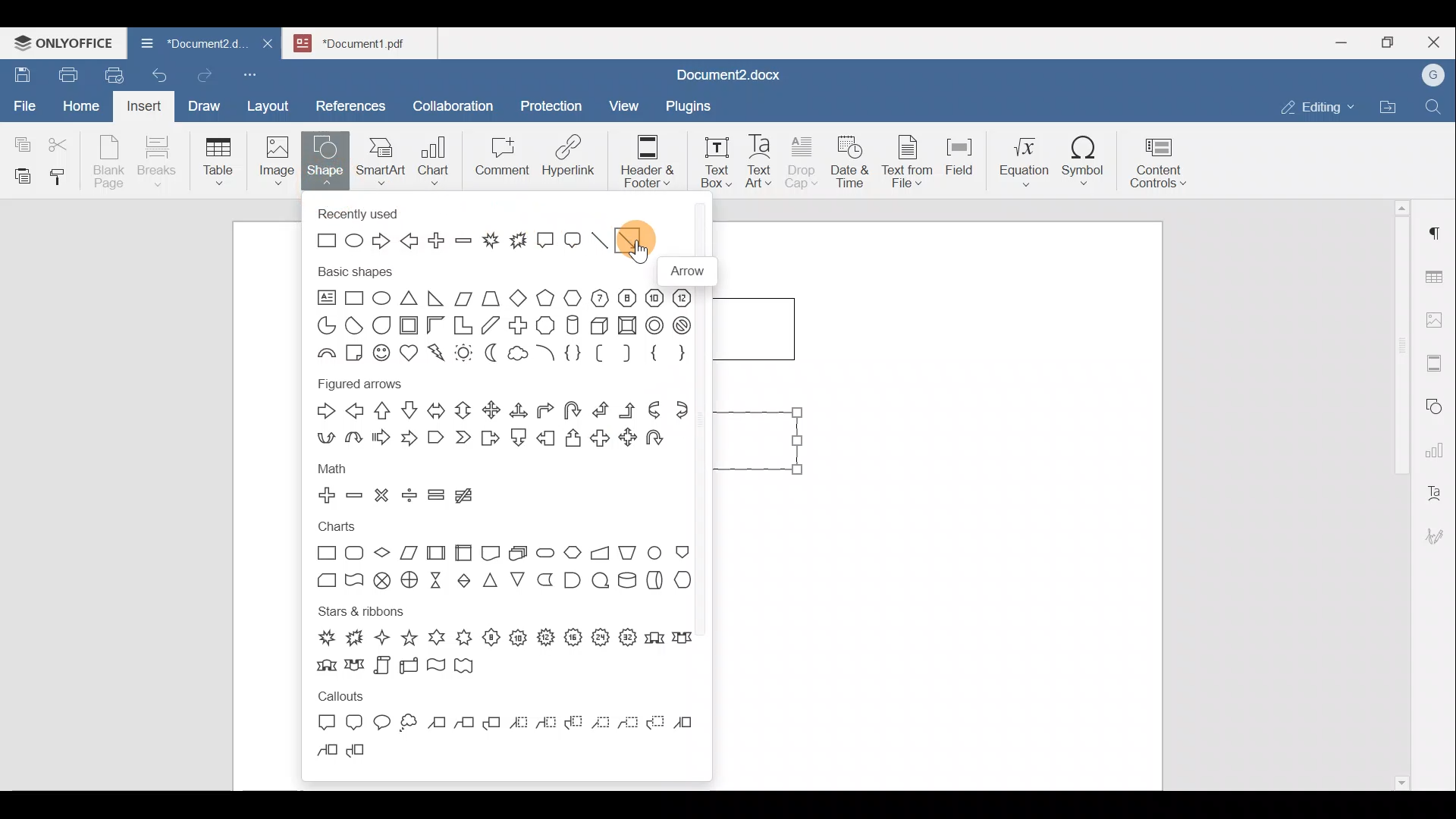  What do you see at coordinates (82, 105) in the screenshot?
I see `Home` at bounding box center [82, 105].